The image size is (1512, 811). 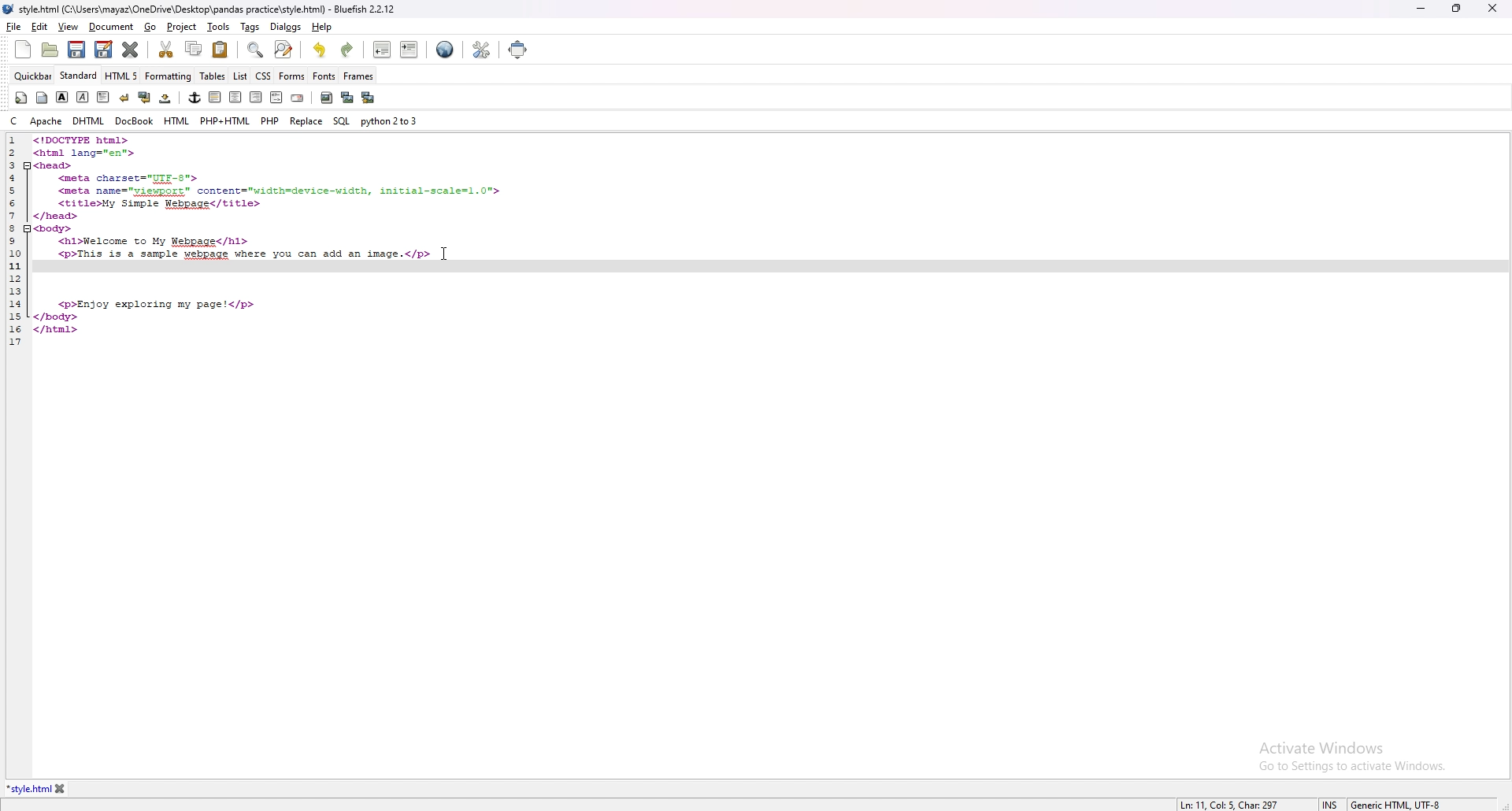 I want to click on Generic HTML UTF-8, so click(x=1399, y=803).